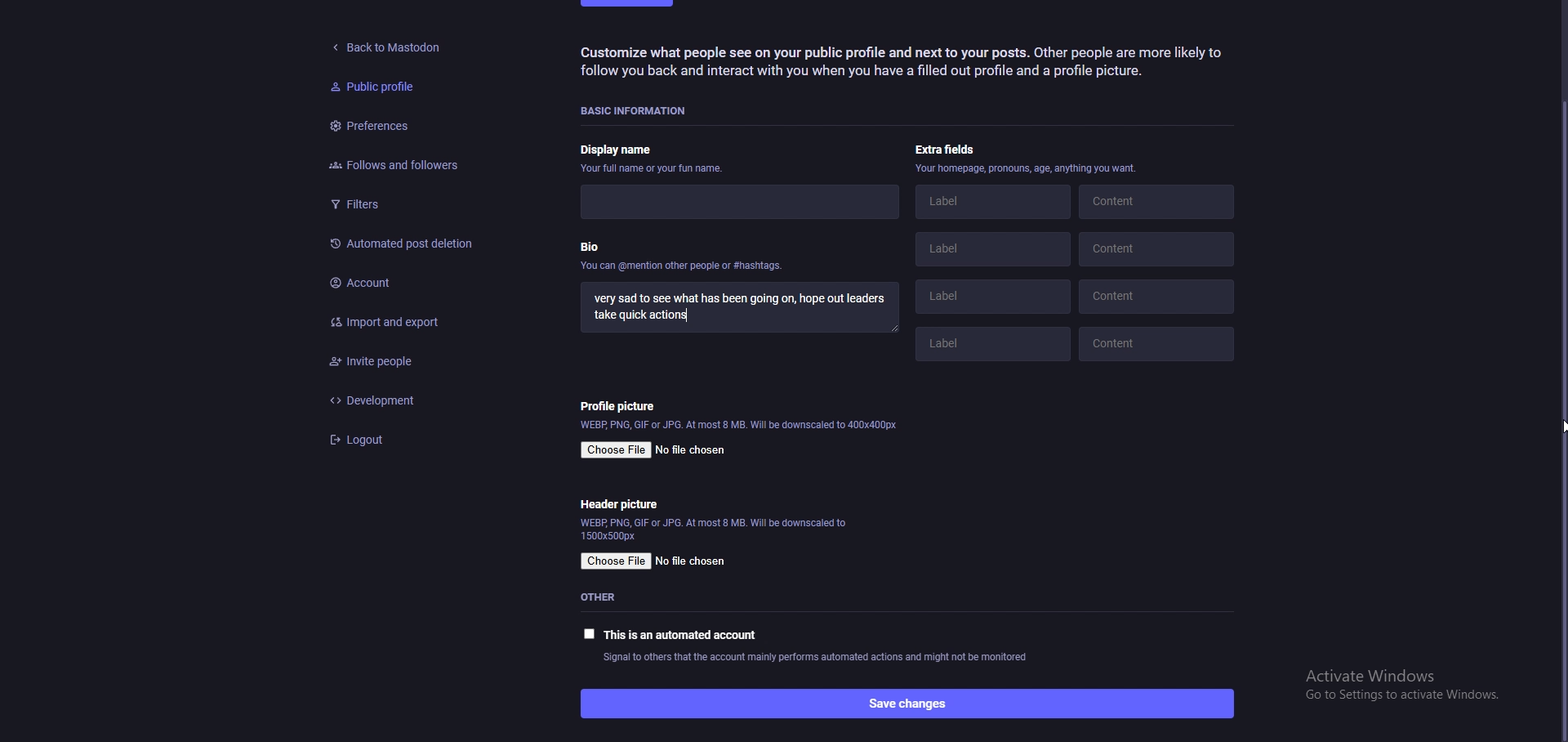 This screenshot has width=1568, height=742. Describe the element at coordinates (987, 347) in the screenshot. I see `label` at that location.